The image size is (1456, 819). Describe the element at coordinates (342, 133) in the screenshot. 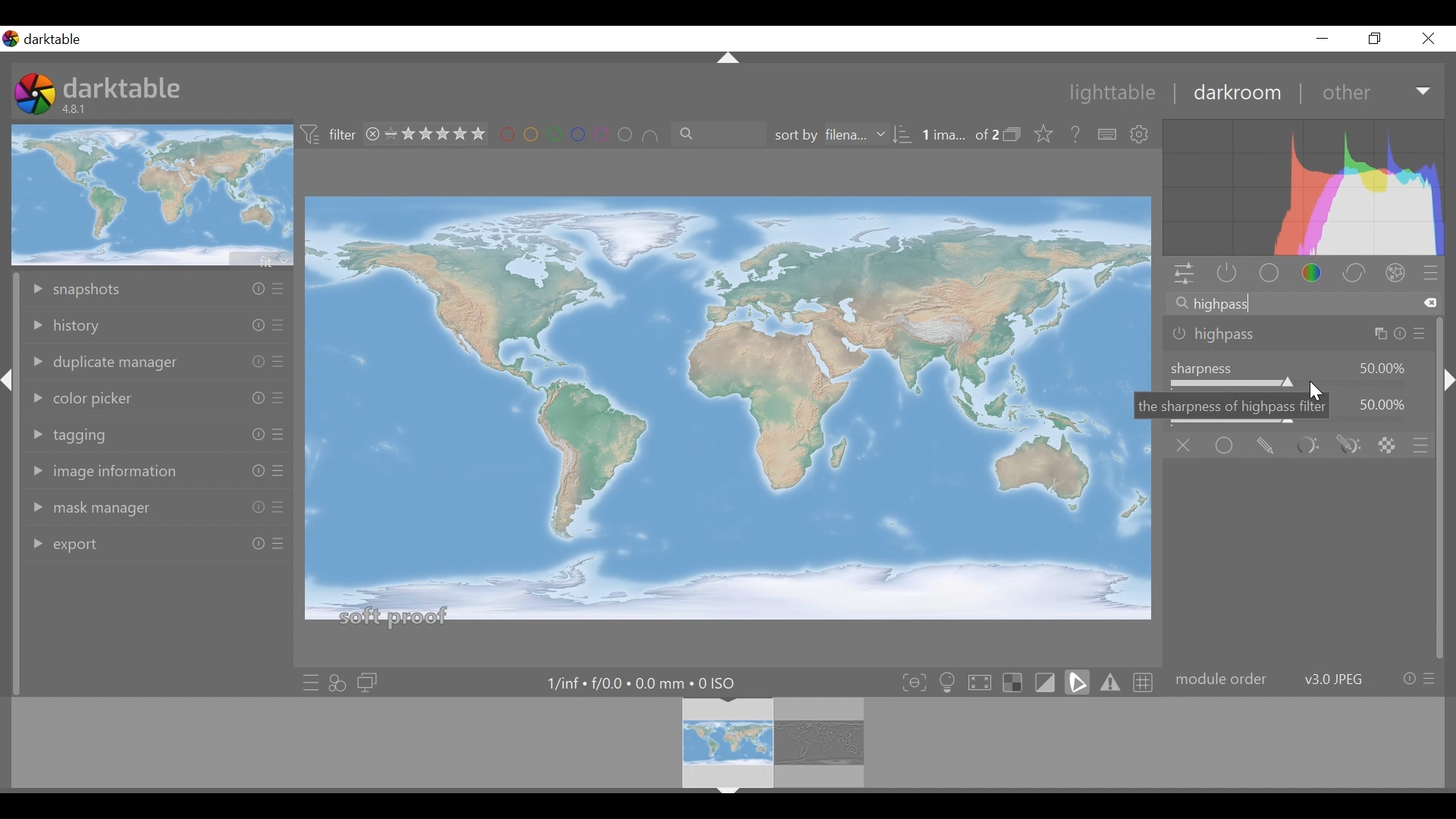

I see `filter` at that location.